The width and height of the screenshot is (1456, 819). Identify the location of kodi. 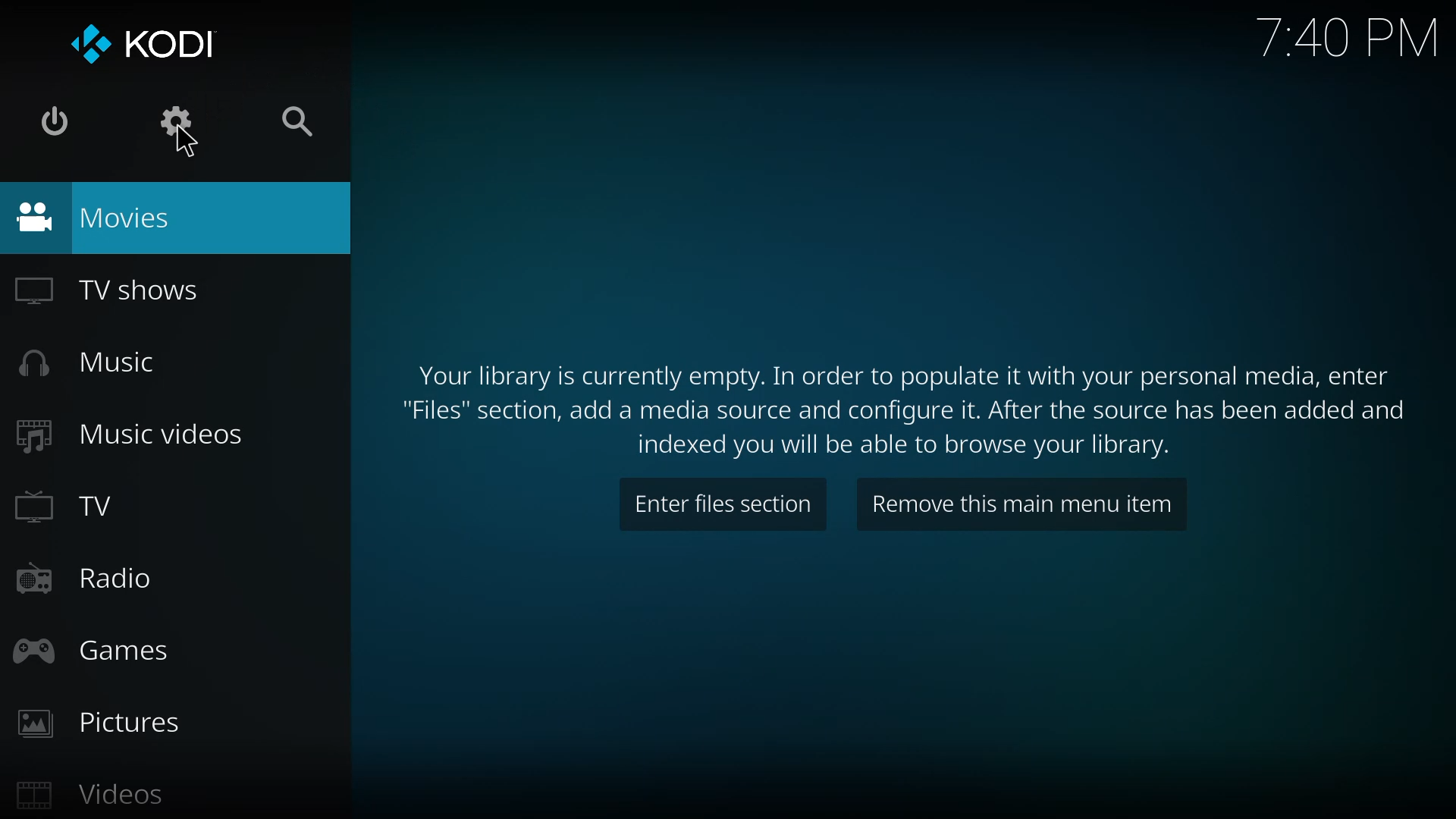
(139, 40).